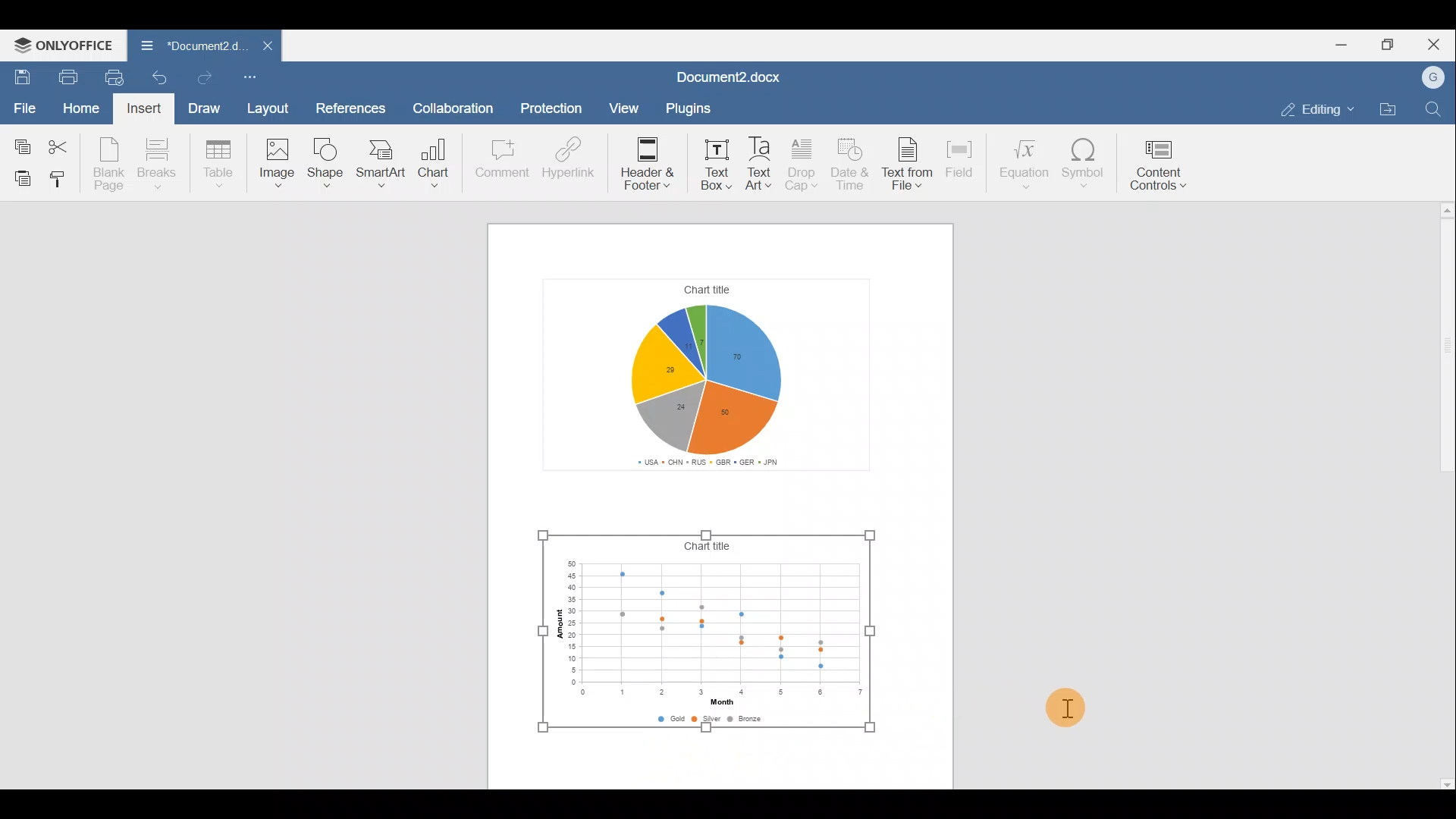  What do you see at coordinates (569, 160) in the screenshot?
I see `Hyperlink` at bounding box center [569, 160].